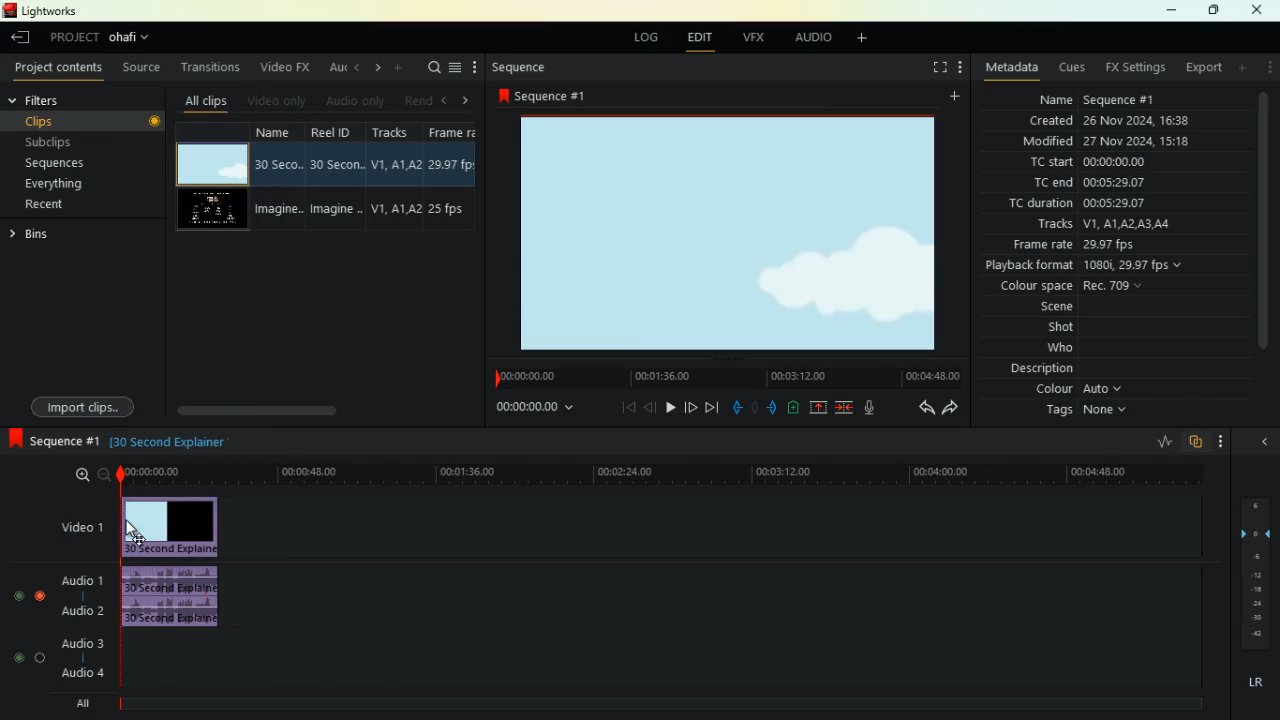 Image resolution: width=1280 pixels, height=720 pixels. I want to click on tracks, so click(396, 177).